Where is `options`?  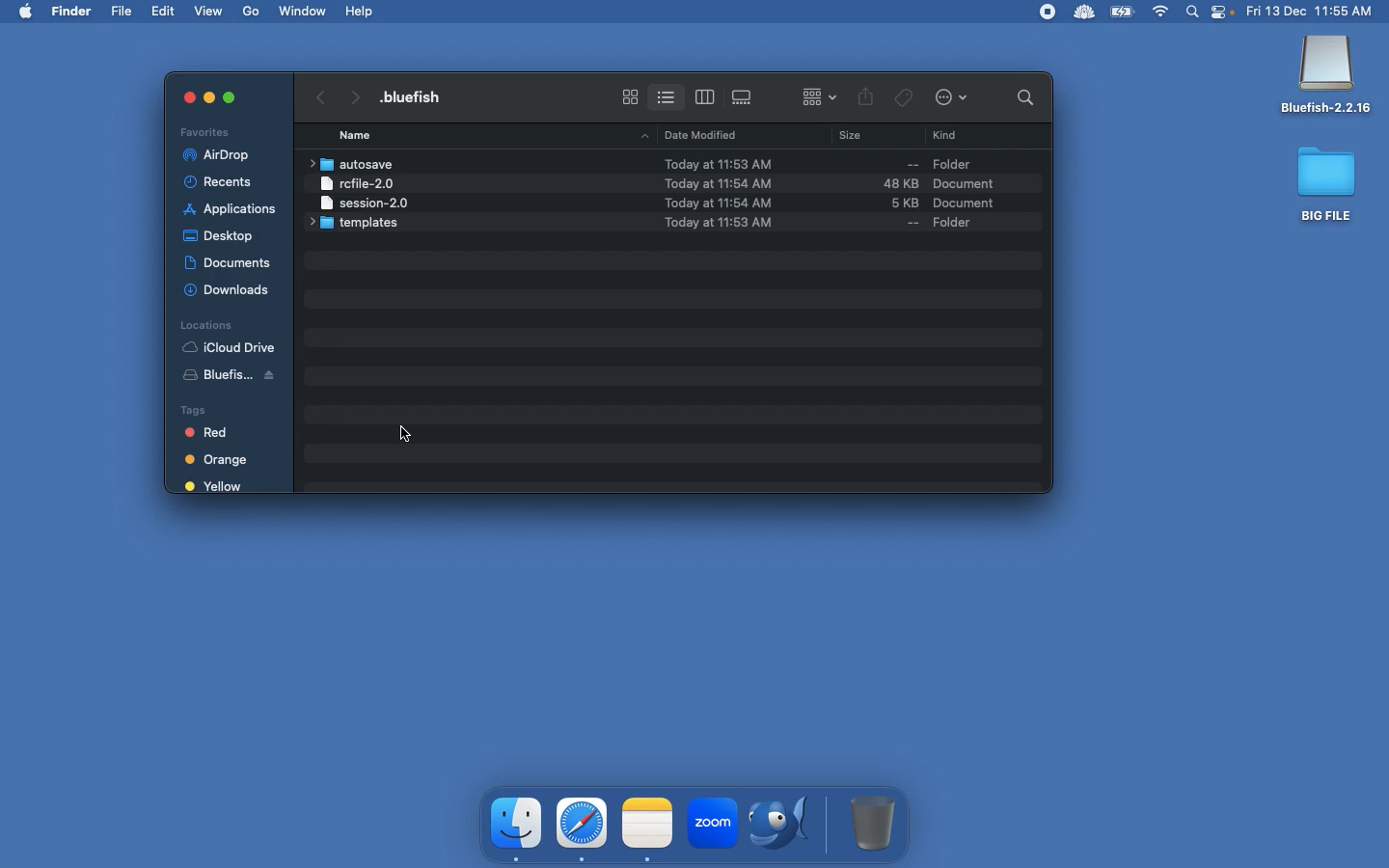 options is located at coordinates (955, 98).